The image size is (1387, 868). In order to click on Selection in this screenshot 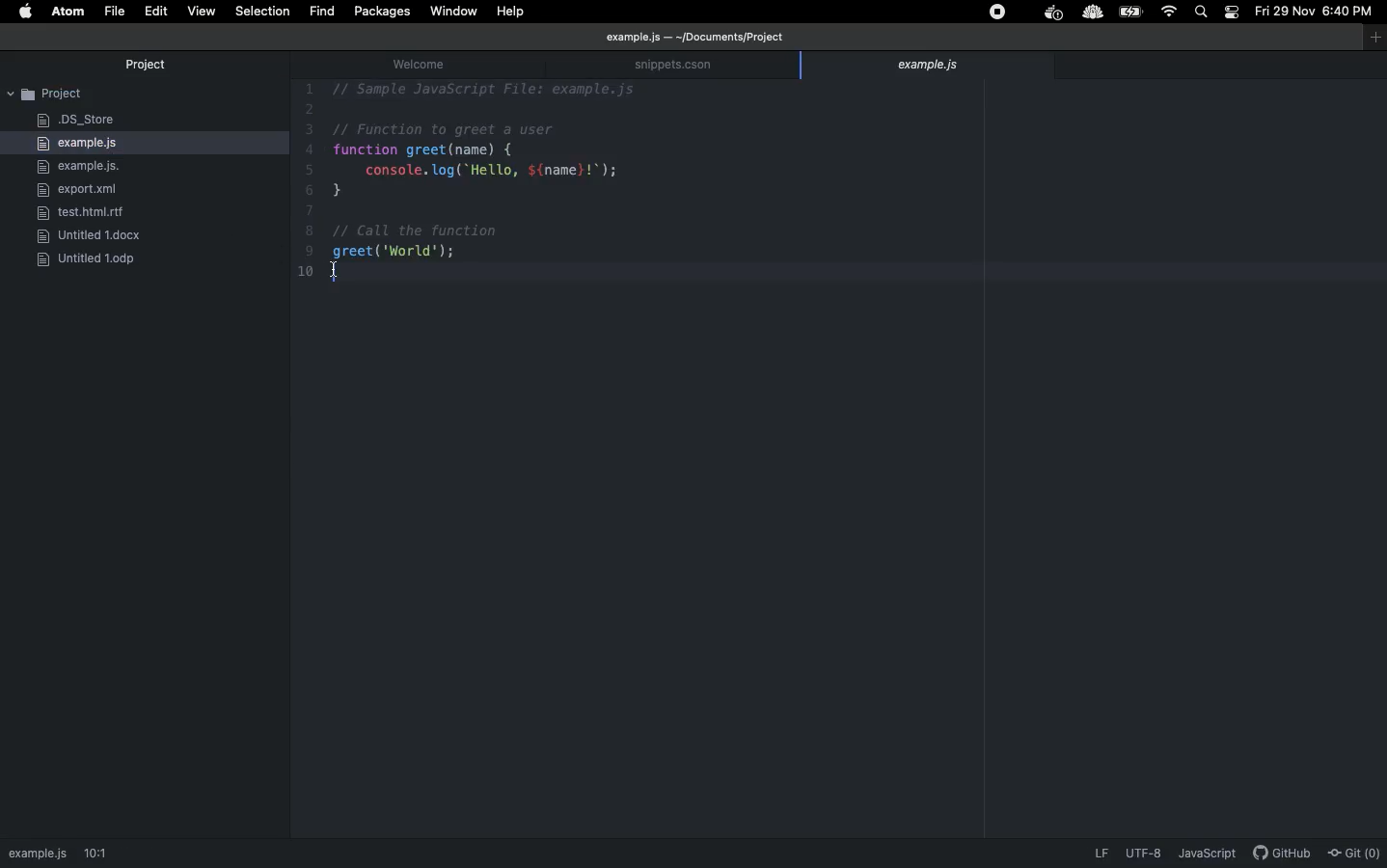, I will do `click(262, 12)`.